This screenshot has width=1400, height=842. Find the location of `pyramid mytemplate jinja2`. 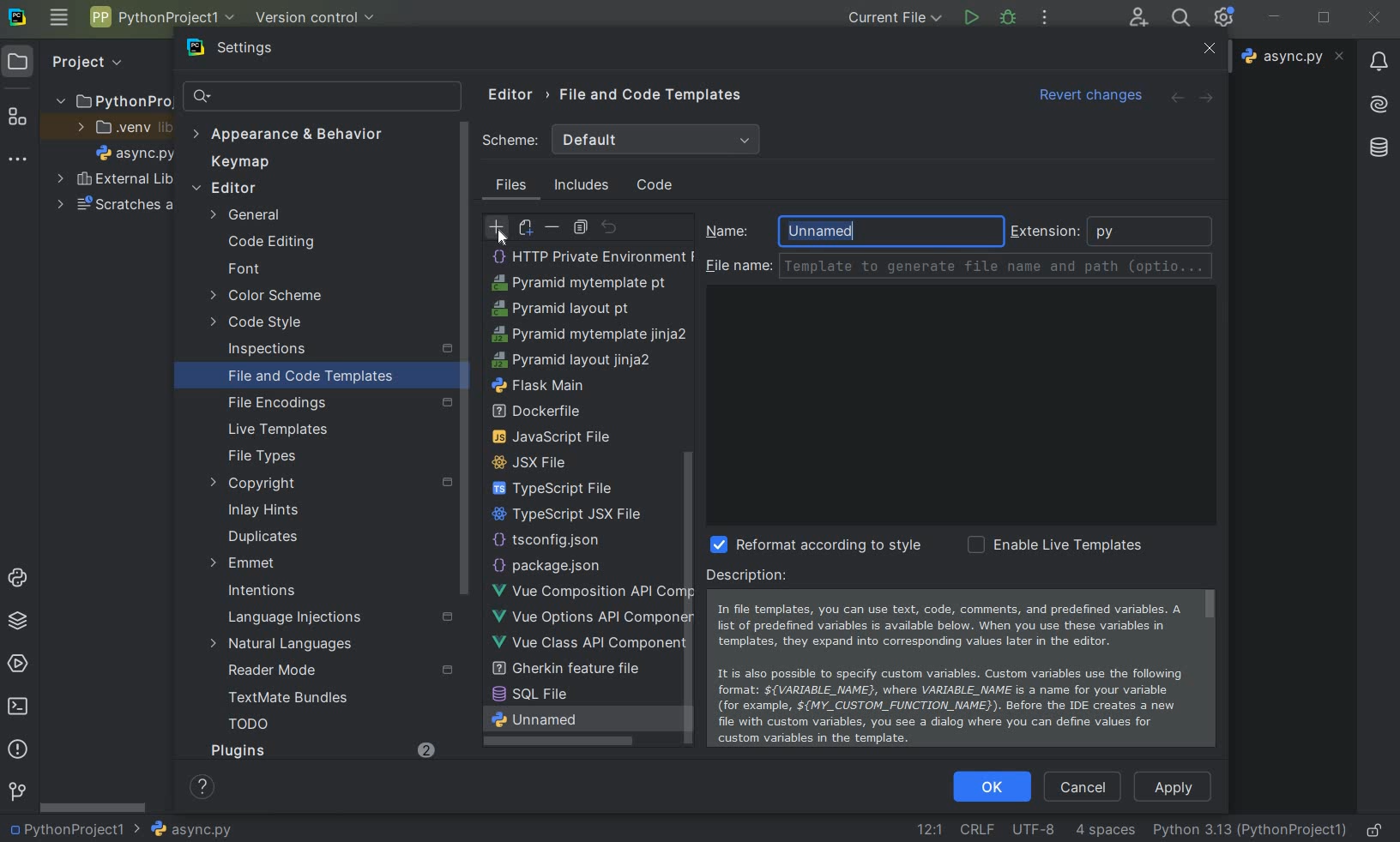

pyramid mytemplate jinja2 is located at coordinates (588, 692).